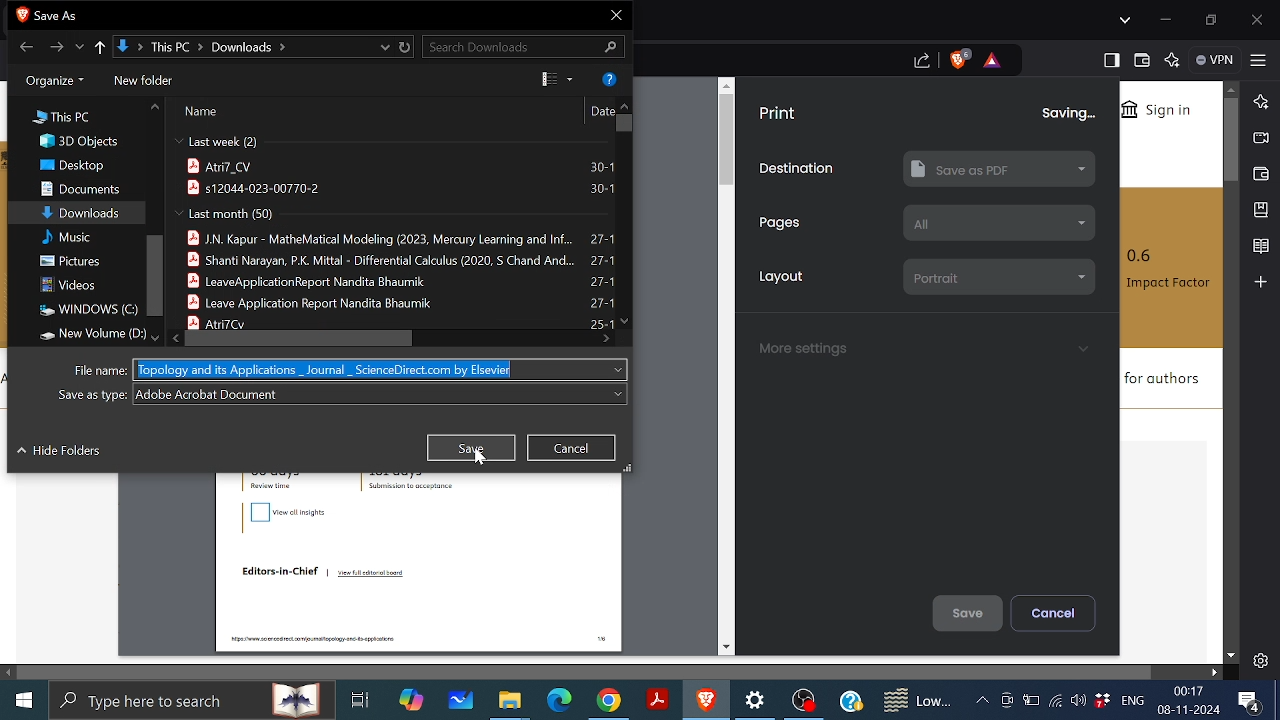  What do you see at coordinates (205, 111) in the screenshot?
I see `Name` at bounding box center [205, 111].